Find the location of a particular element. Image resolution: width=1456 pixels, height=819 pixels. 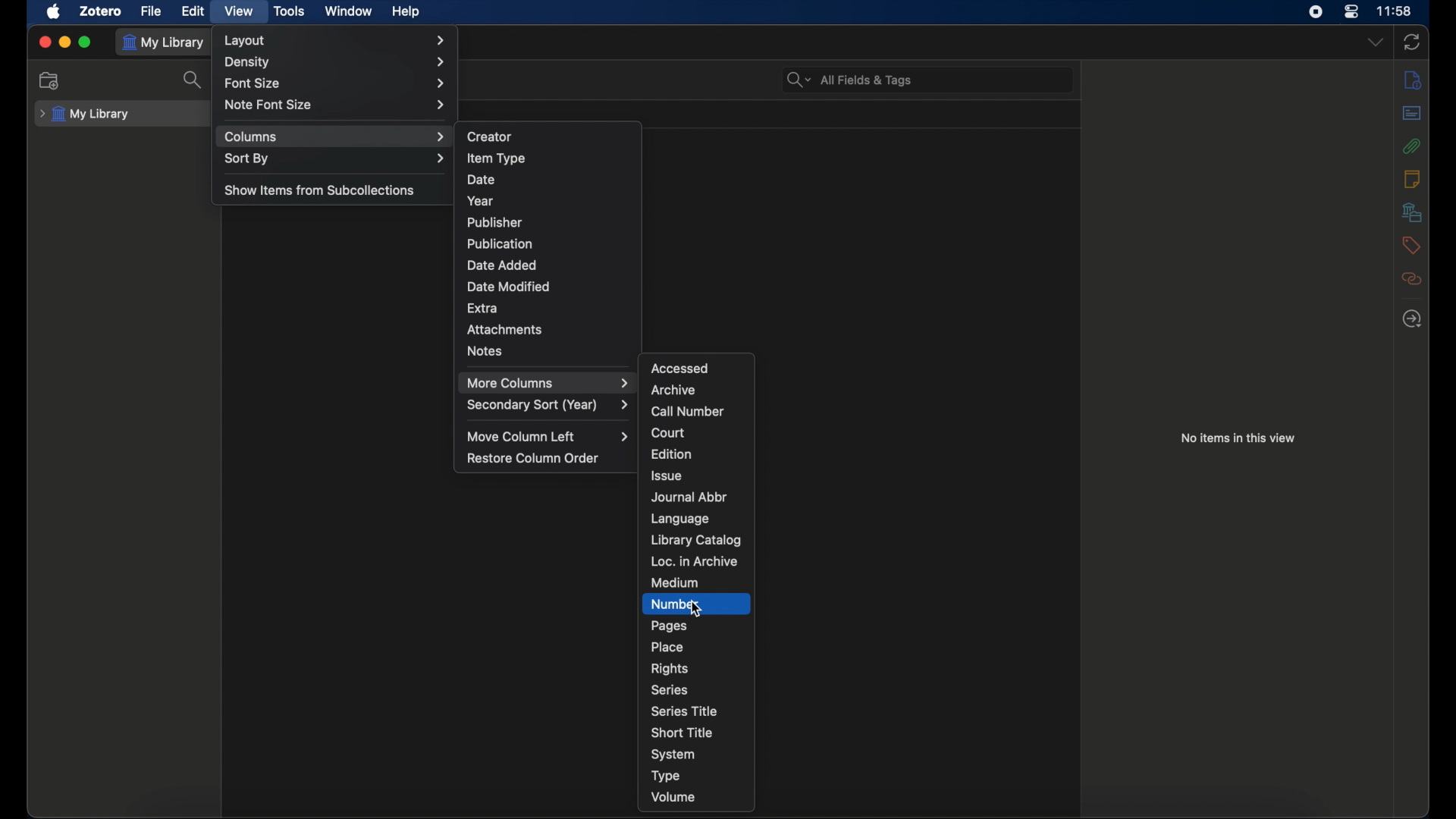

more columns is located at coordinates (550, 382).